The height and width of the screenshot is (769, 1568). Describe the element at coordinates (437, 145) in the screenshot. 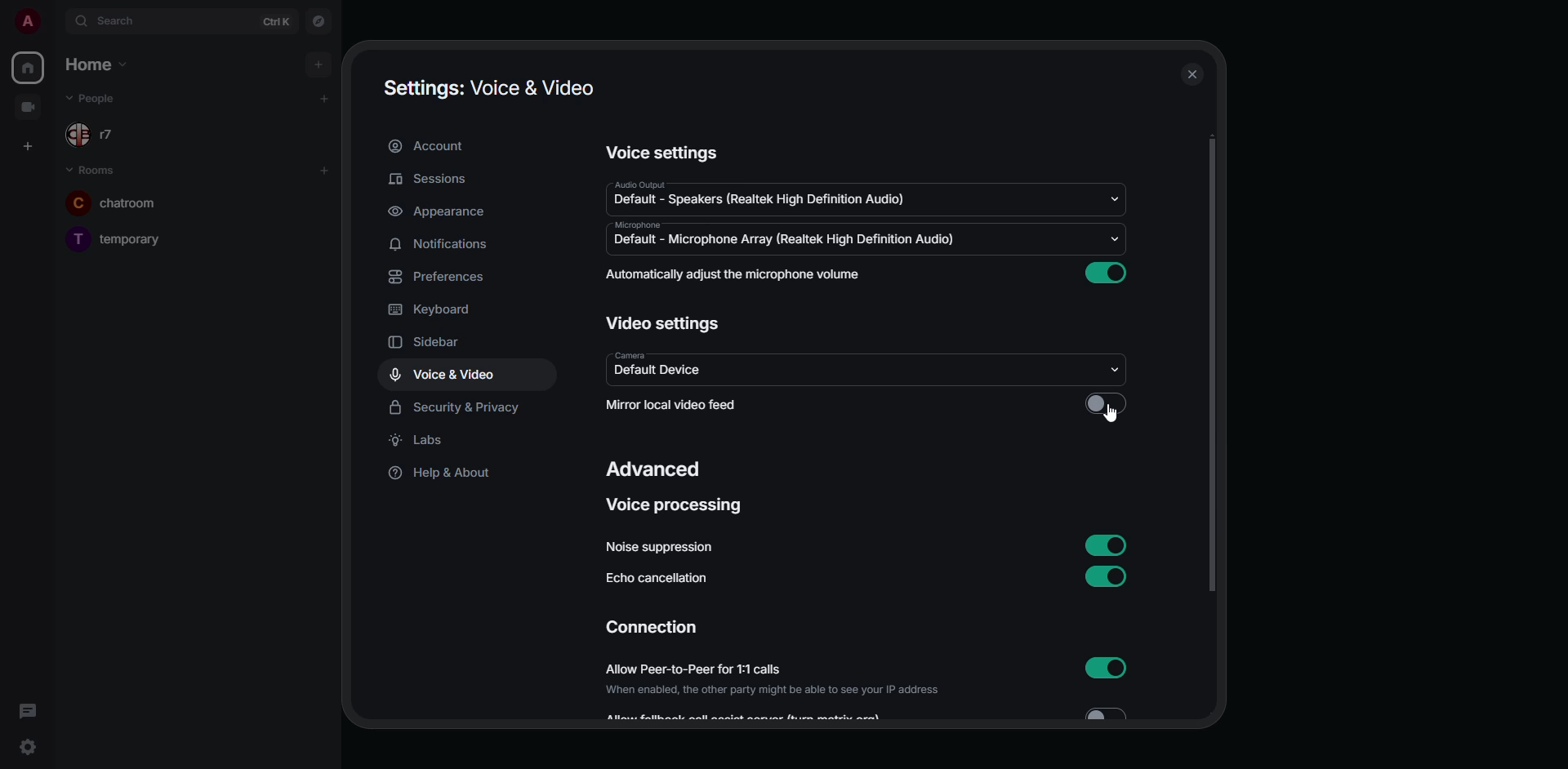

I see `account` at that location.